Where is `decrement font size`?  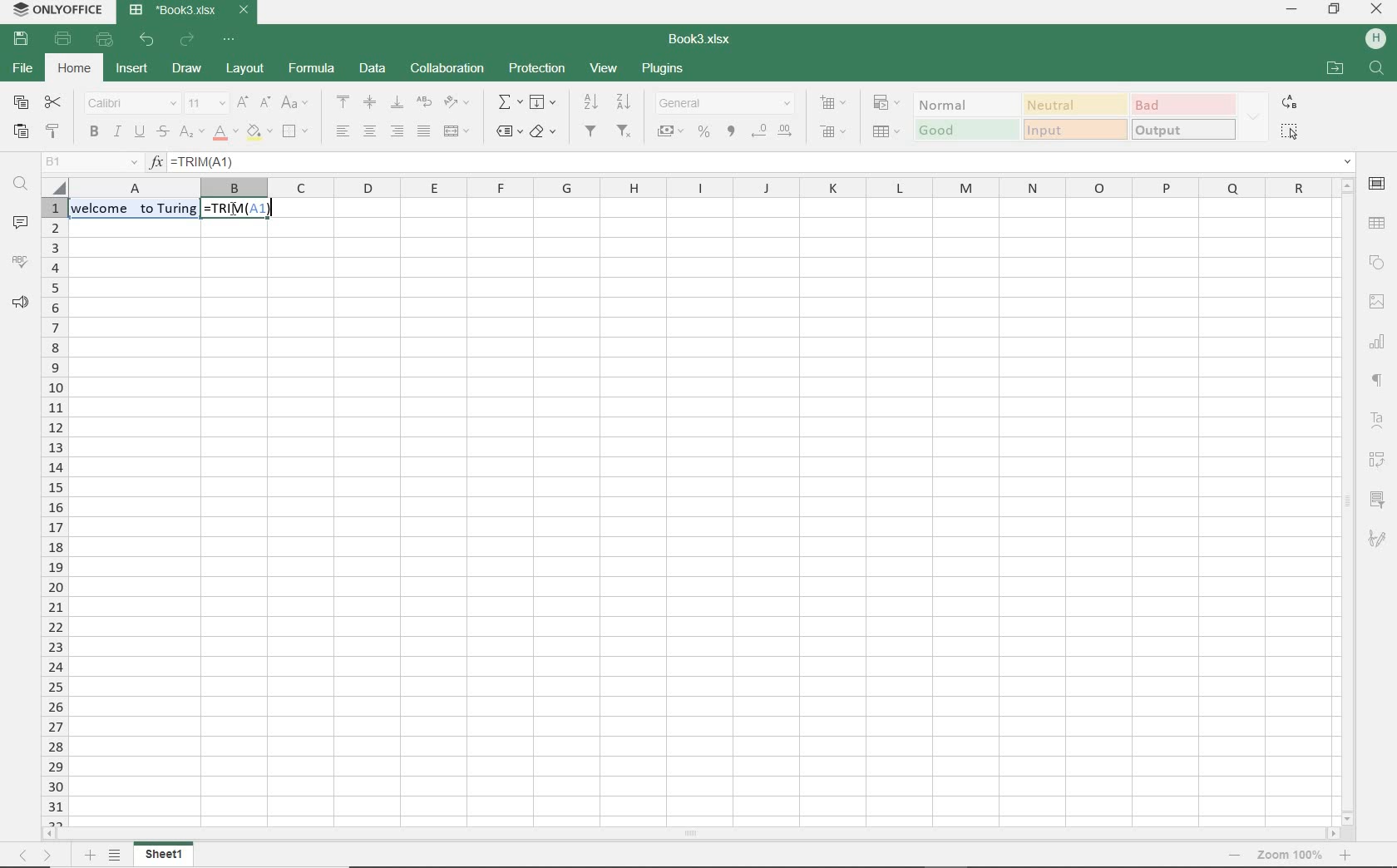
decrement font size is located at coordinates (264, 102).